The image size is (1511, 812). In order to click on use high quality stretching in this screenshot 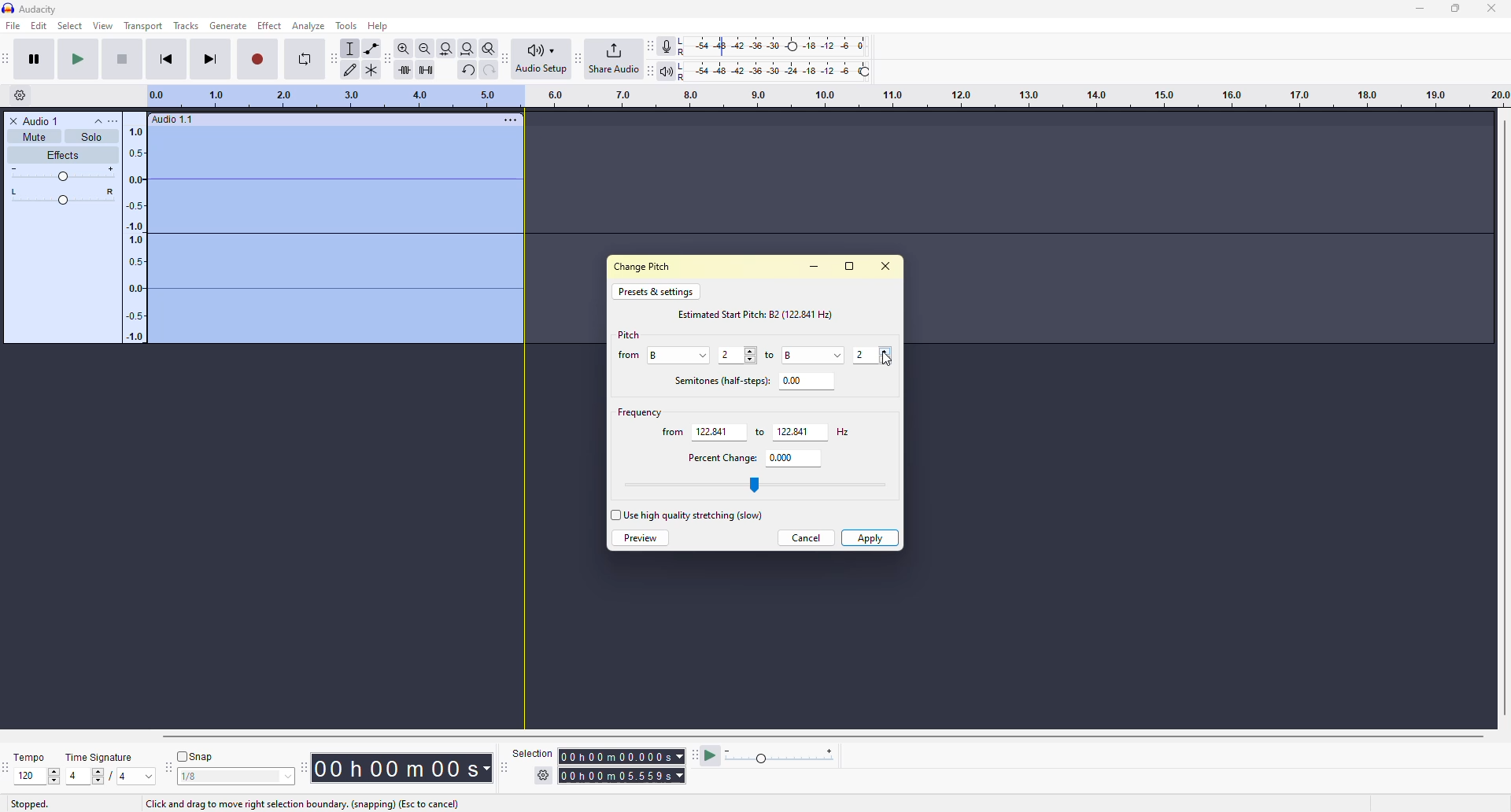, I will do `click(693, 514)`.